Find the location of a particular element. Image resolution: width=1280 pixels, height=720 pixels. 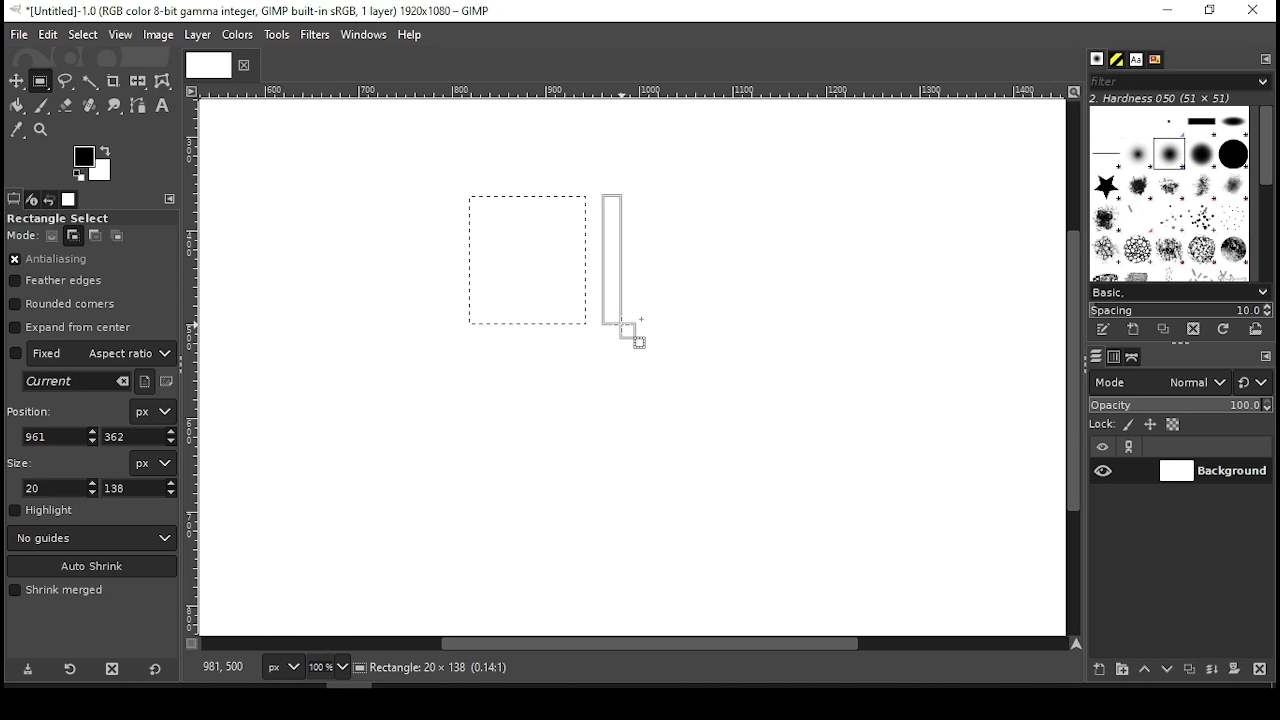

lock pixels is located at coordinates (1132, 425).